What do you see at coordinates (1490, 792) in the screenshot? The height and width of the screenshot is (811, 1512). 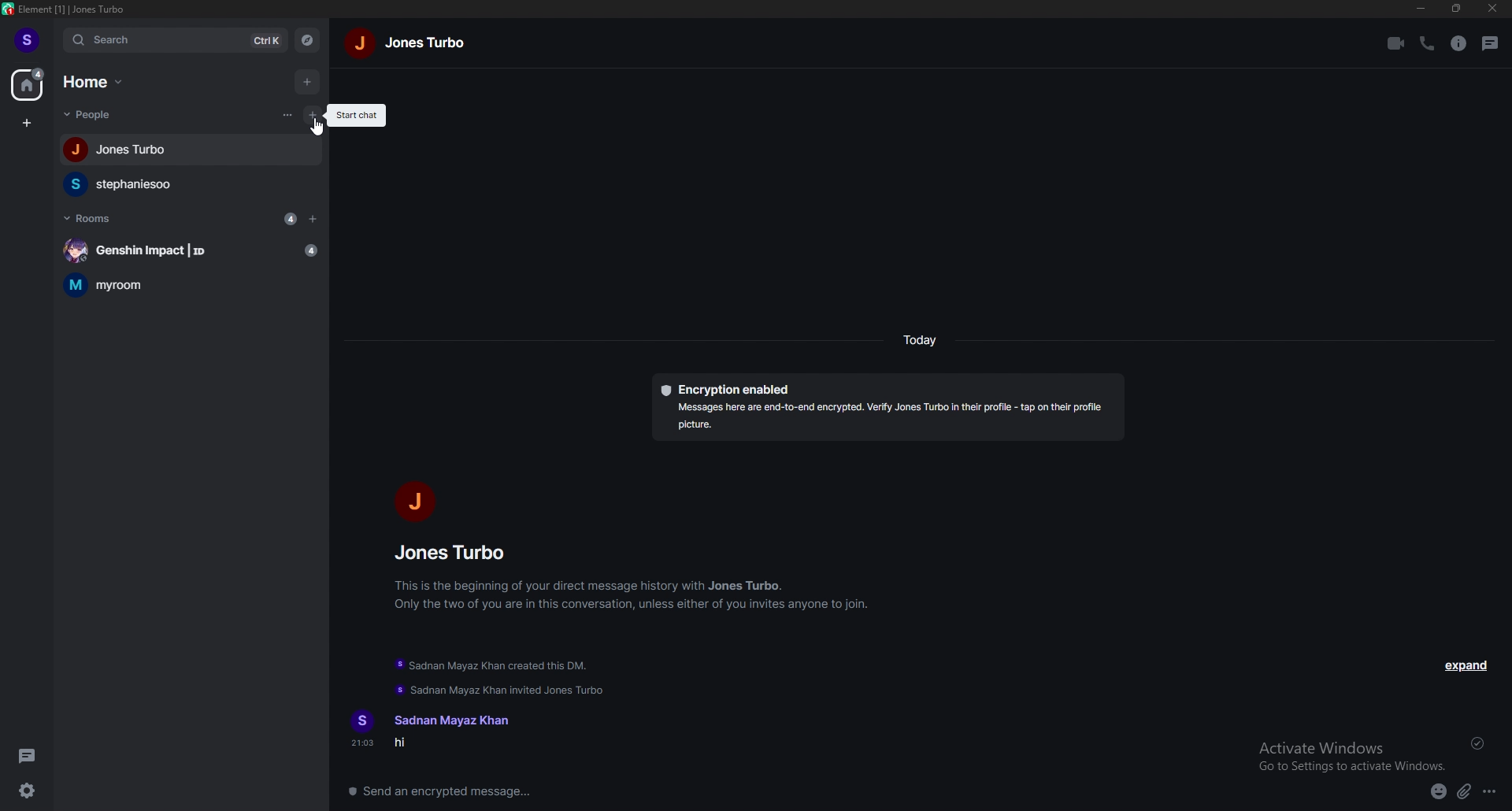 I see `more options` at bounding box center [1490, 792].